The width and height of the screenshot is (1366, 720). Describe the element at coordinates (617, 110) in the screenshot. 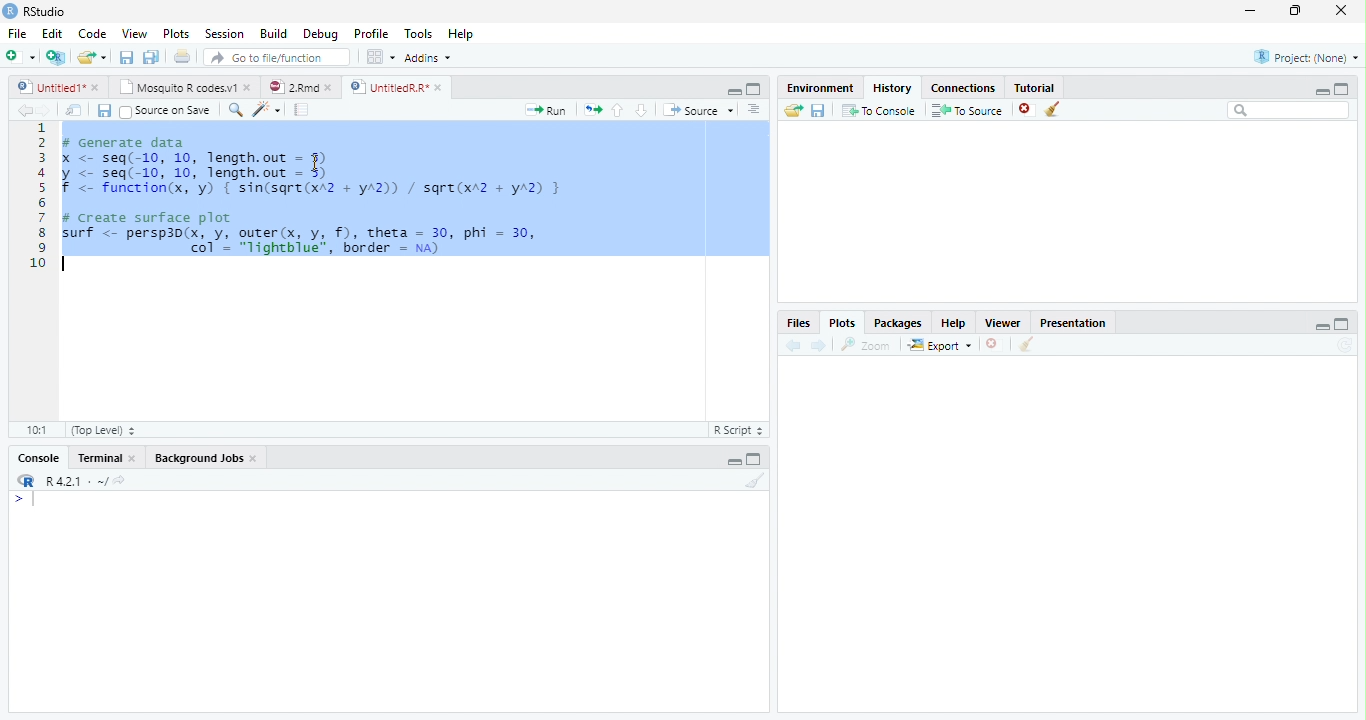

I see `Go to previous section/chunk` at that location.